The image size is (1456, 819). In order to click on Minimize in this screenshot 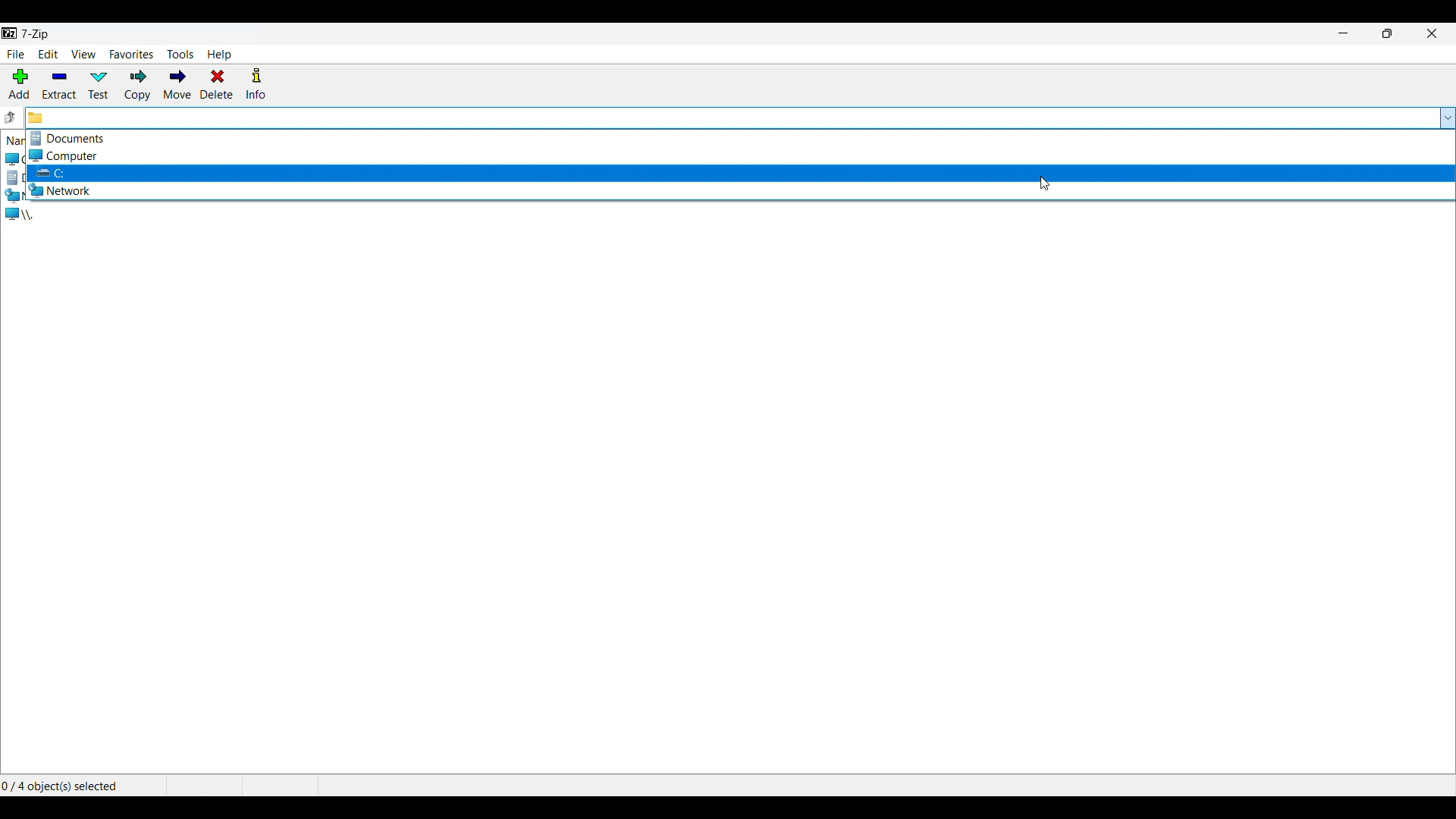, I will do `click(1343, 33)`.